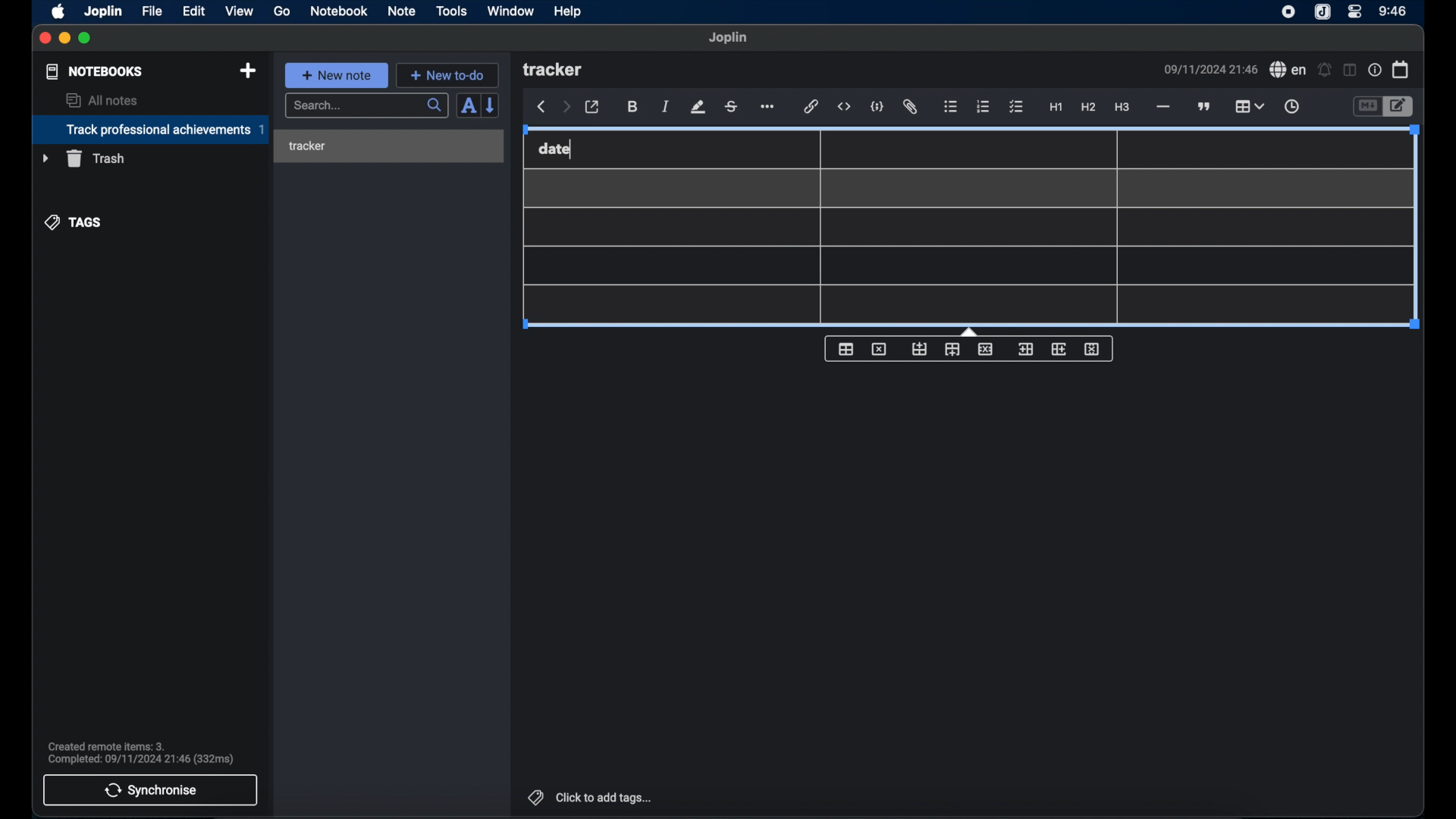 This screenshot has width=1456, height=819. What do you see at coordinates (844, 107) in the screenshot?
I see `inline code` at bounding box center [844, 107].